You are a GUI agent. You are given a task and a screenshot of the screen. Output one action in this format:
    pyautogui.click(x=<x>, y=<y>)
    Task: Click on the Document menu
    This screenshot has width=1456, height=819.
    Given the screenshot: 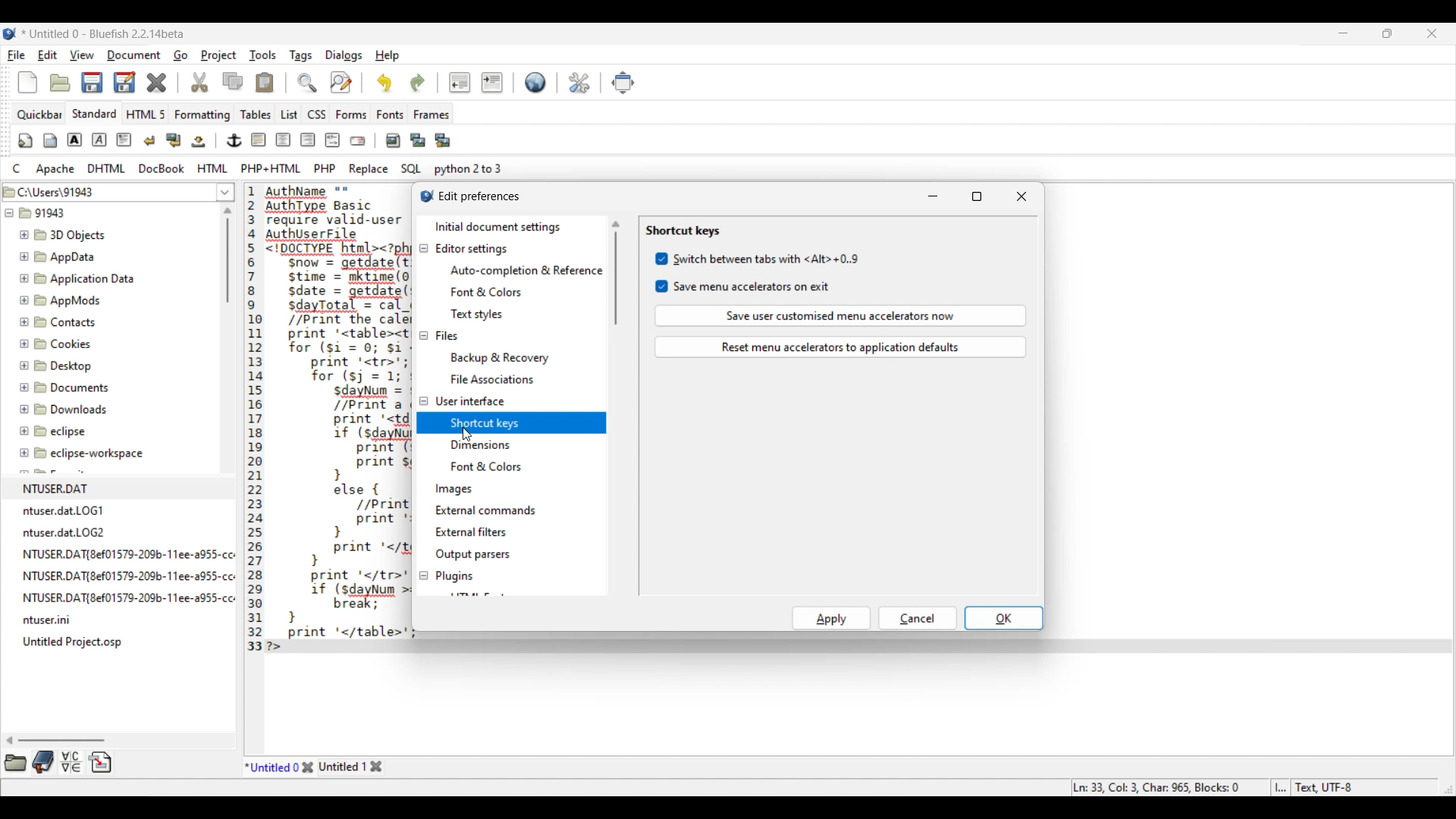 What is the action you would take?
    pyautogui.click(x=134, y=55)
    